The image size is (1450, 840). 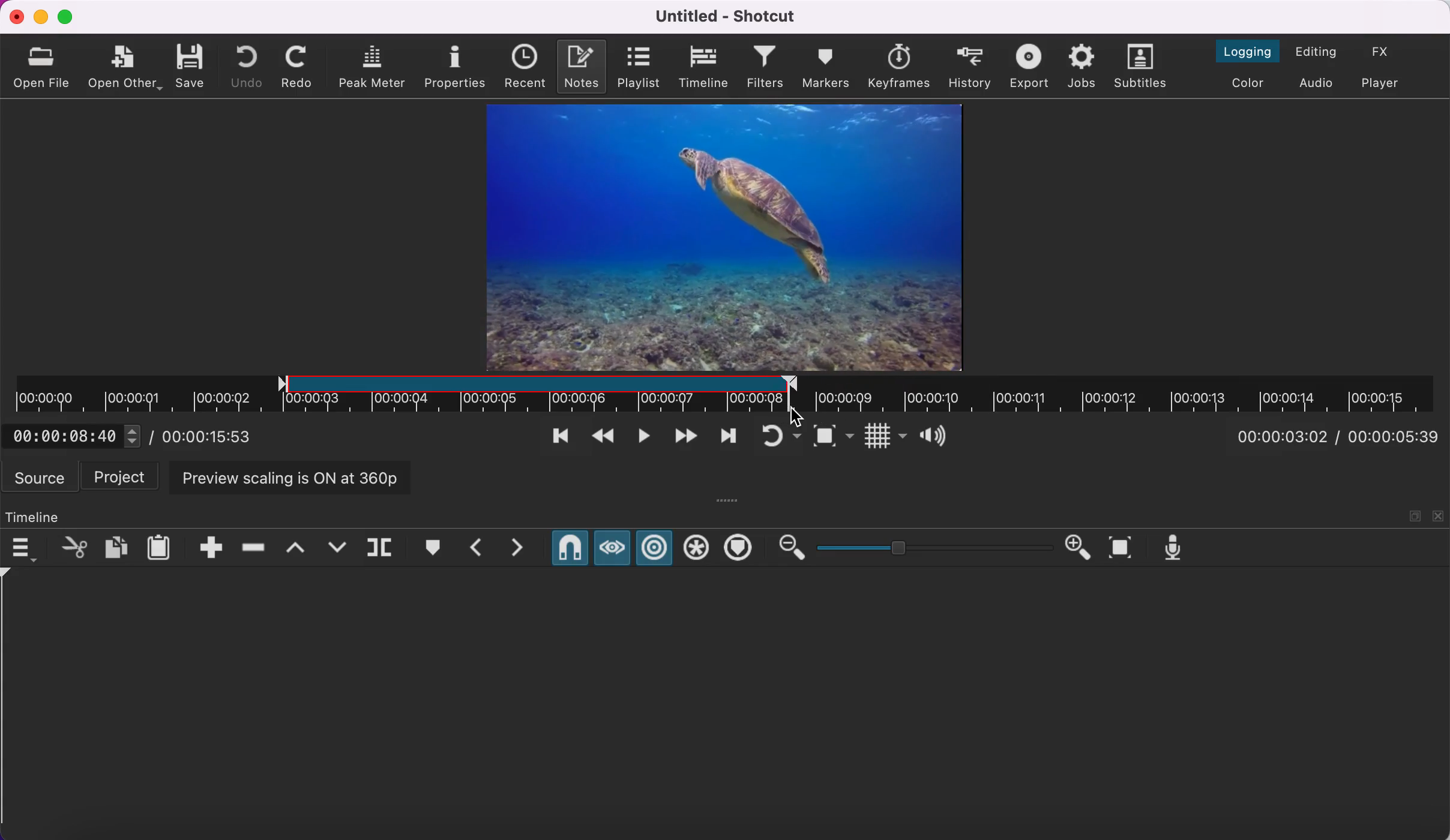 I want to click on timeline panel, so click(x=34, y=517).